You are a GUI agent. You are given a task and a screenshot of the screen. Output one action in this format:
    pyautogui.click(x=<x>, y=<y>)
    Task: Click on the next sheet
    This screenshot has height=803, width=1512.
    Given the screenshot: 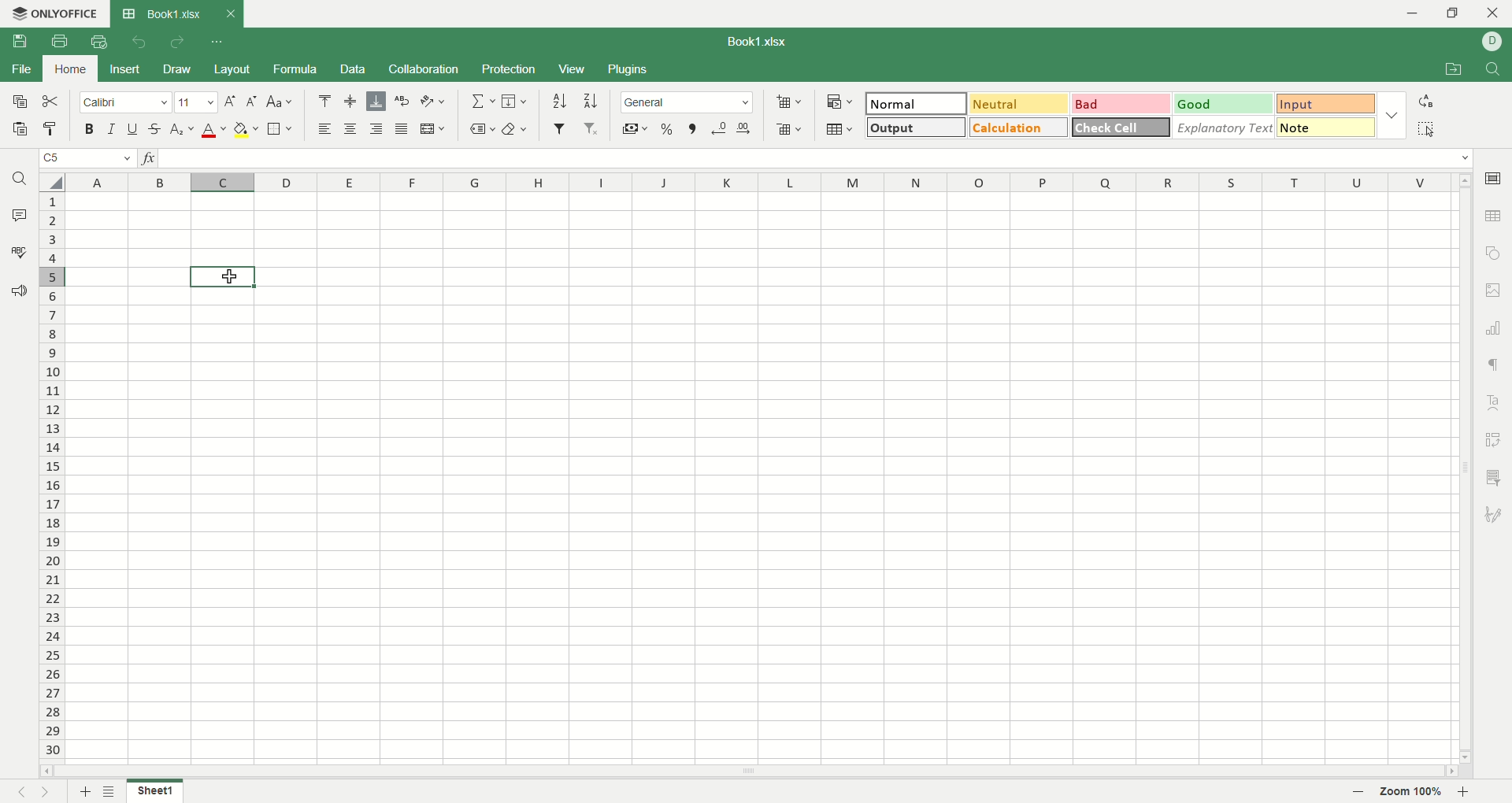 What is the action you would take?
    pyautogui.click(x=50, y=792)
    